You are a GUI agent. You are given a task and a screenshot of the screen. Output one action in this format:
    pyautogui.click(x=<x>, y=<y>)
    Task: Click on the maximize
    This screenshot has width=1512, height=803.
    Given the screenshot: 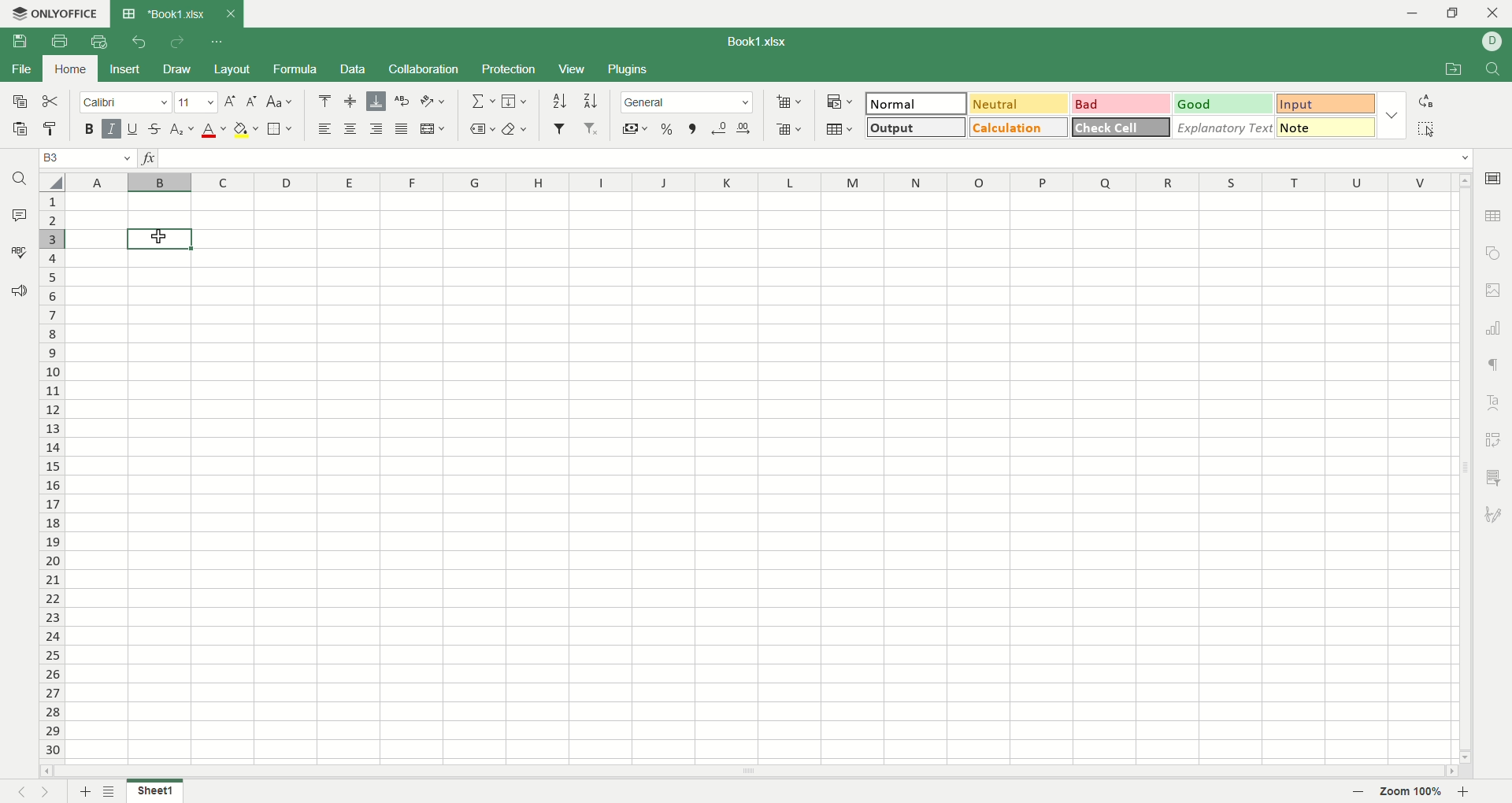 What is the action you would take?
    pyautogui.click(x=1457, y=16)
    